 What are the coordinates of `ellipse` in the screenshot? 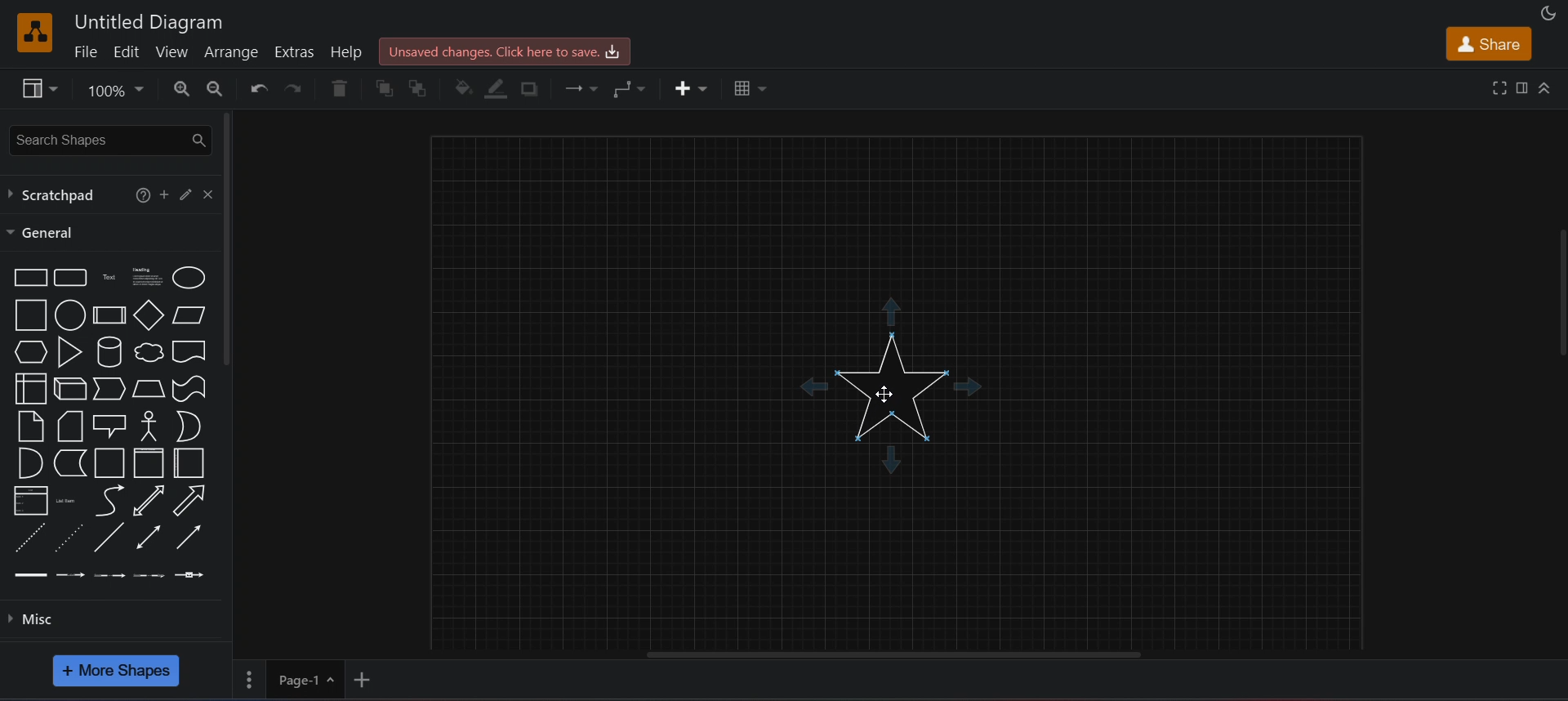 It's located at (193, 278).